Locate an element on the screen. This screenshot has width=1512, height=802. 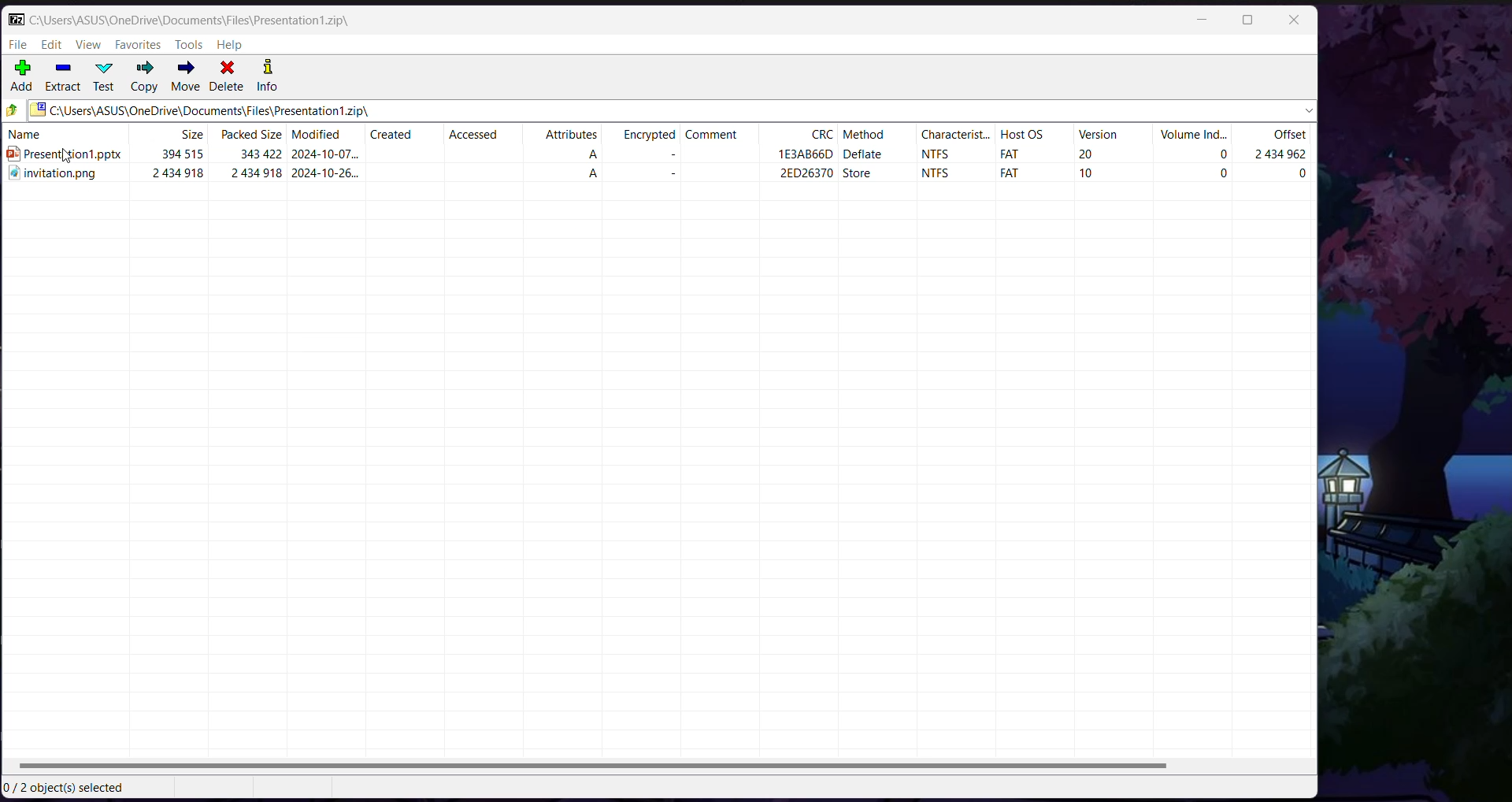
View is located at coordinates (91, 45).